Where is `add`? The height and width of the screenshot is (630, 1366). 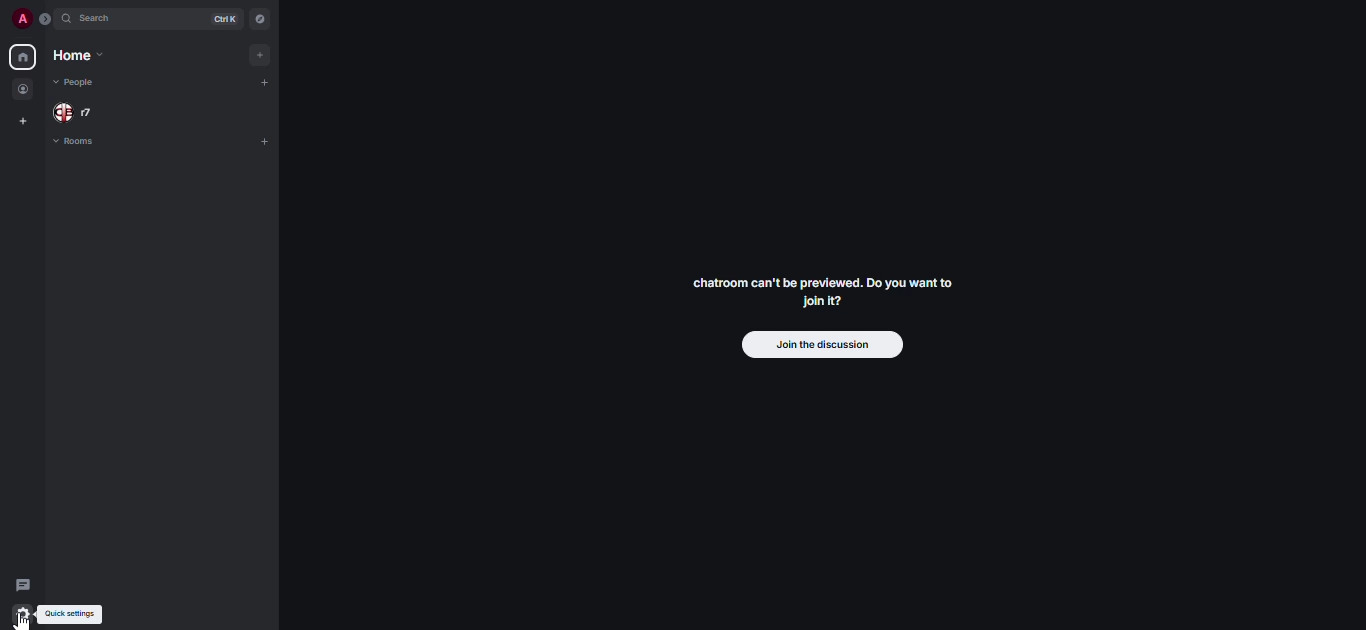 add is located at coordinates (267, 140).